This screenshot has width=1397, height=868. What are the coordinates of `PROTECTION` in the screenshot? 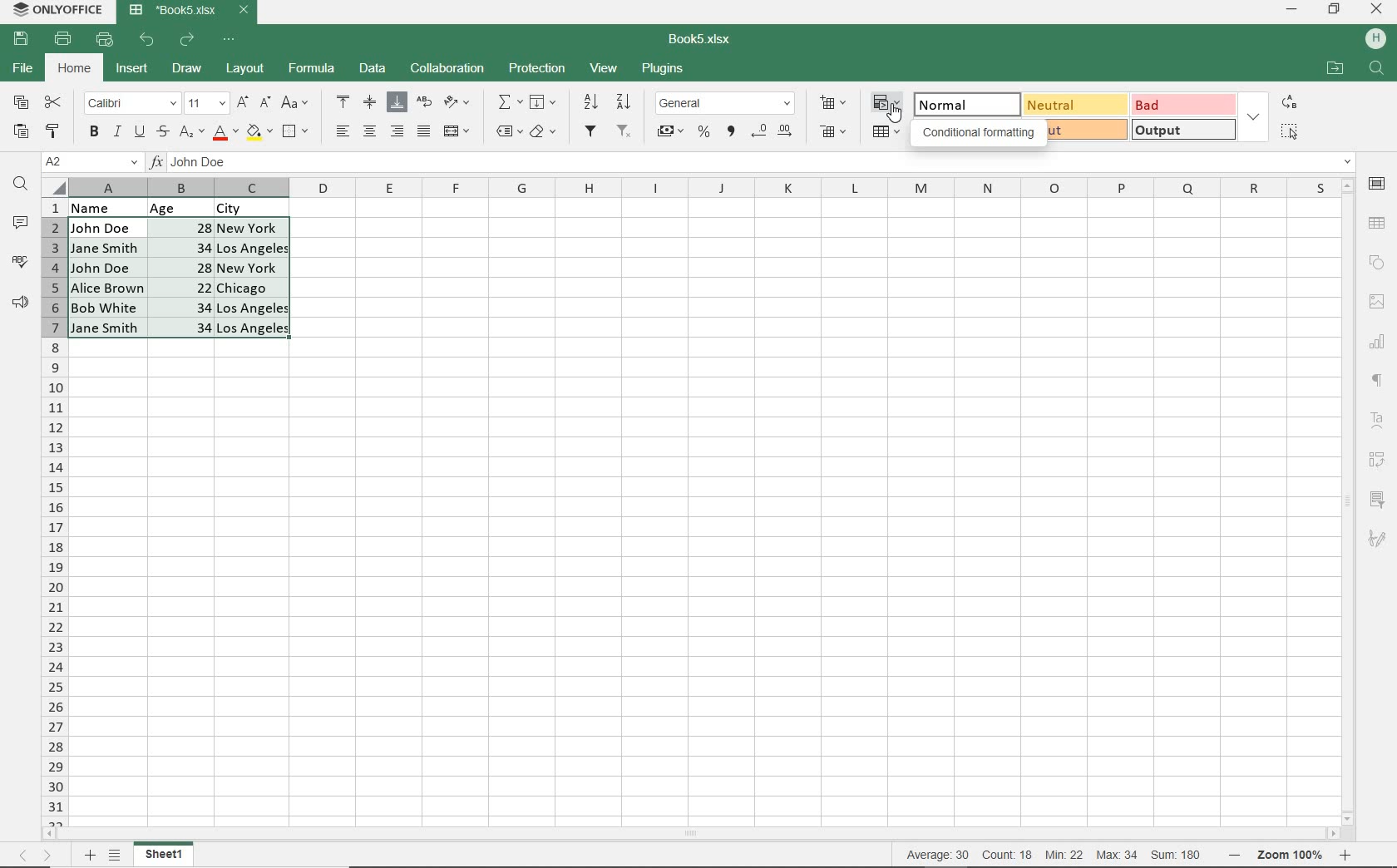 It's located at (537, 68).